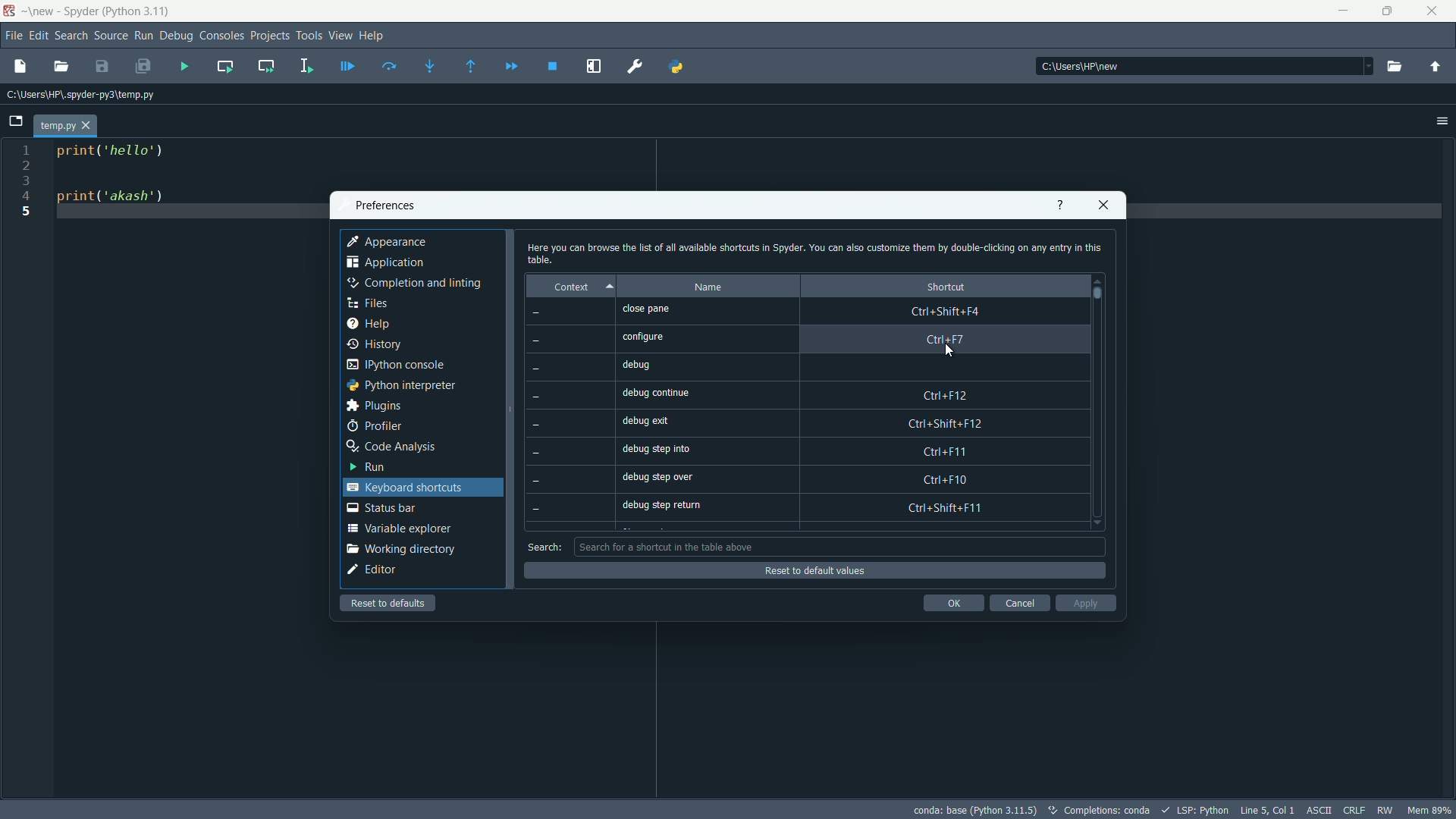 This screenshot has height=819, width=1456. What do you see at coordinates (824, 475) in the screenshot?
I see `debug step over Ctri+F10` at bounding box center [824, 475].